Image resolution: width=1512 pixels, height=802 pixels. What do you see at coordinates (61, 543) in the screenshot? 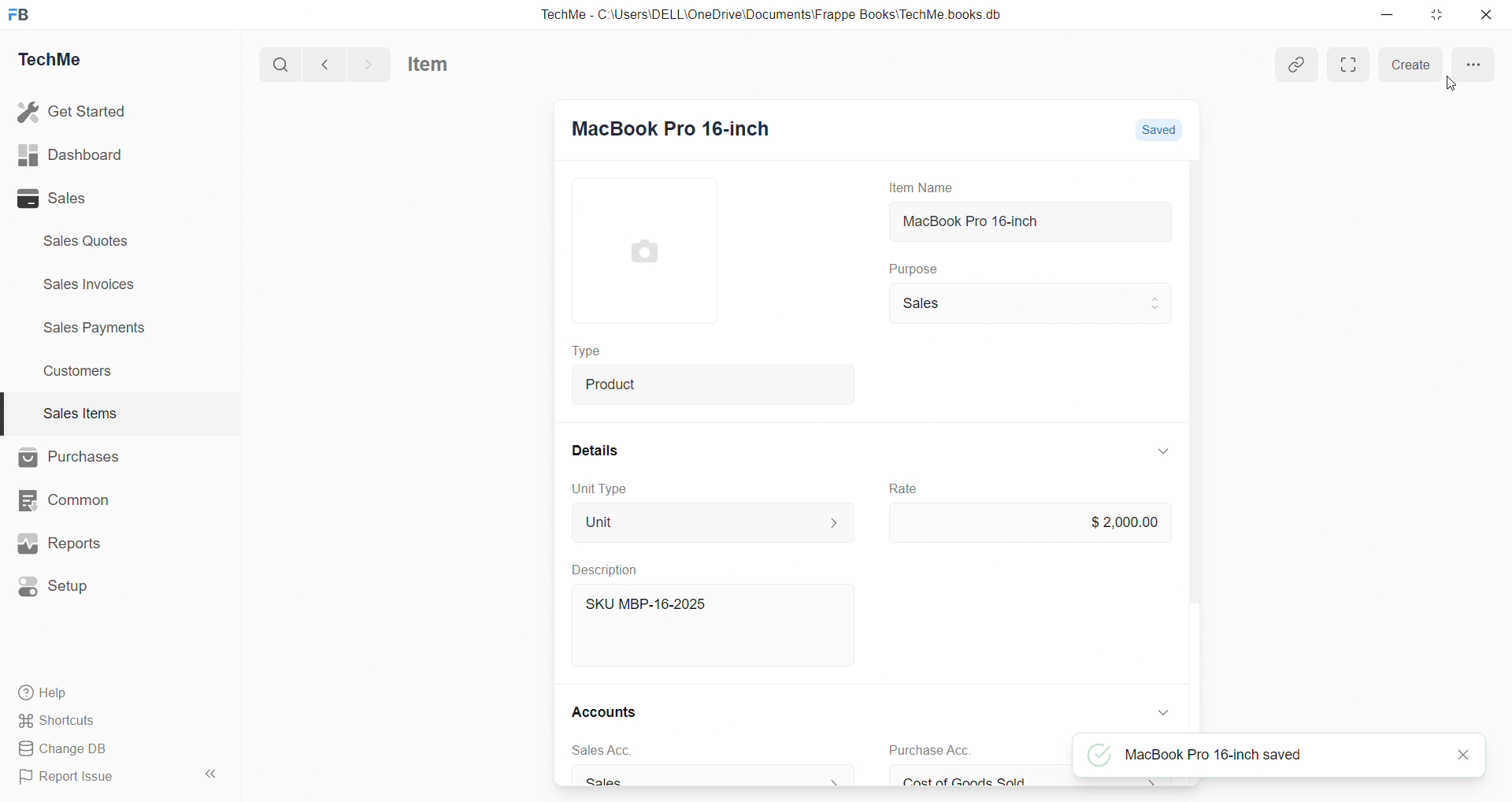
I see `Reports` at bounding box center [61, 543].